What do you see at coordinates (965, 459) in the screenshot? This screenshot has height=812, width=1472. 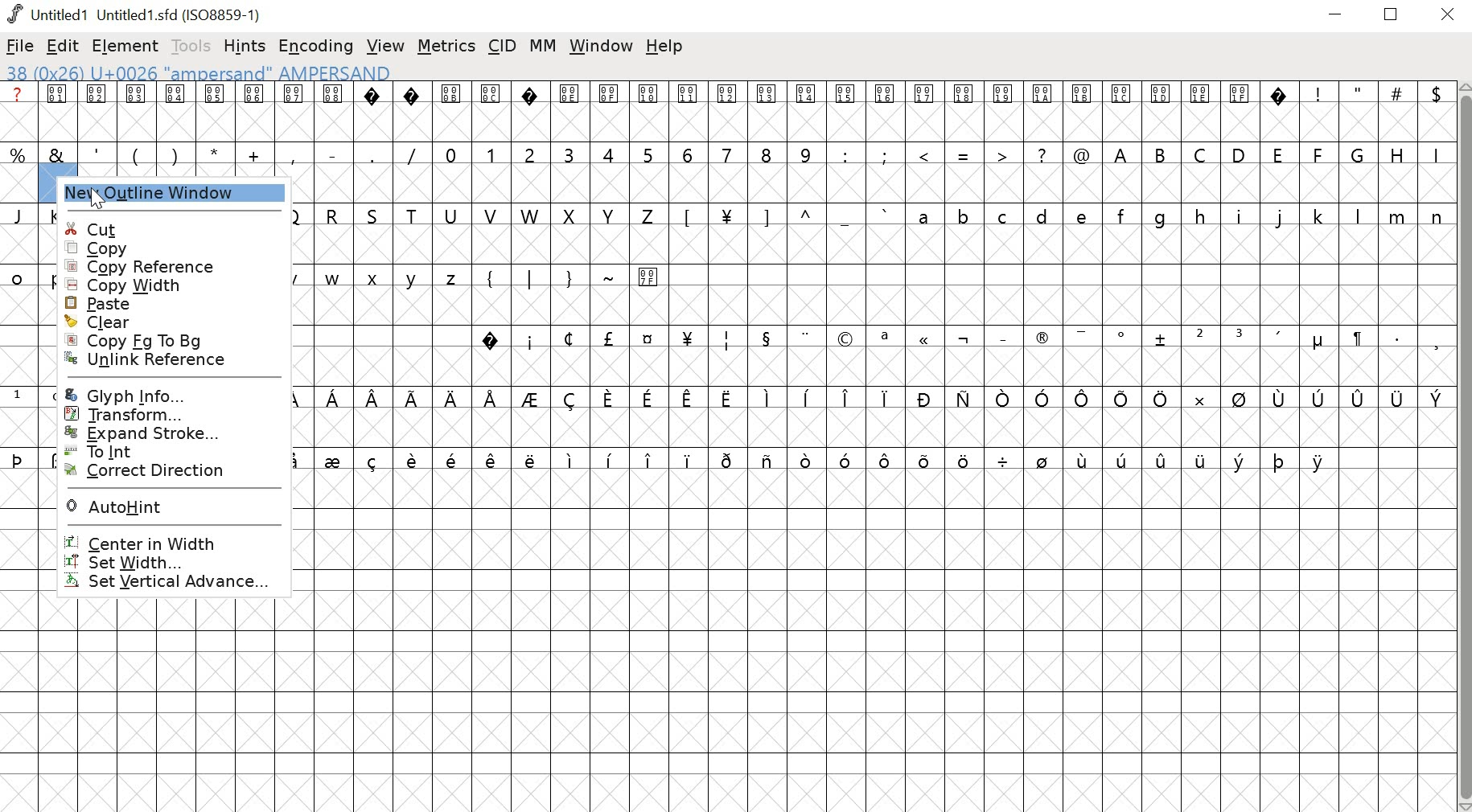 I see `symbol` at bounding box center [965, 459].